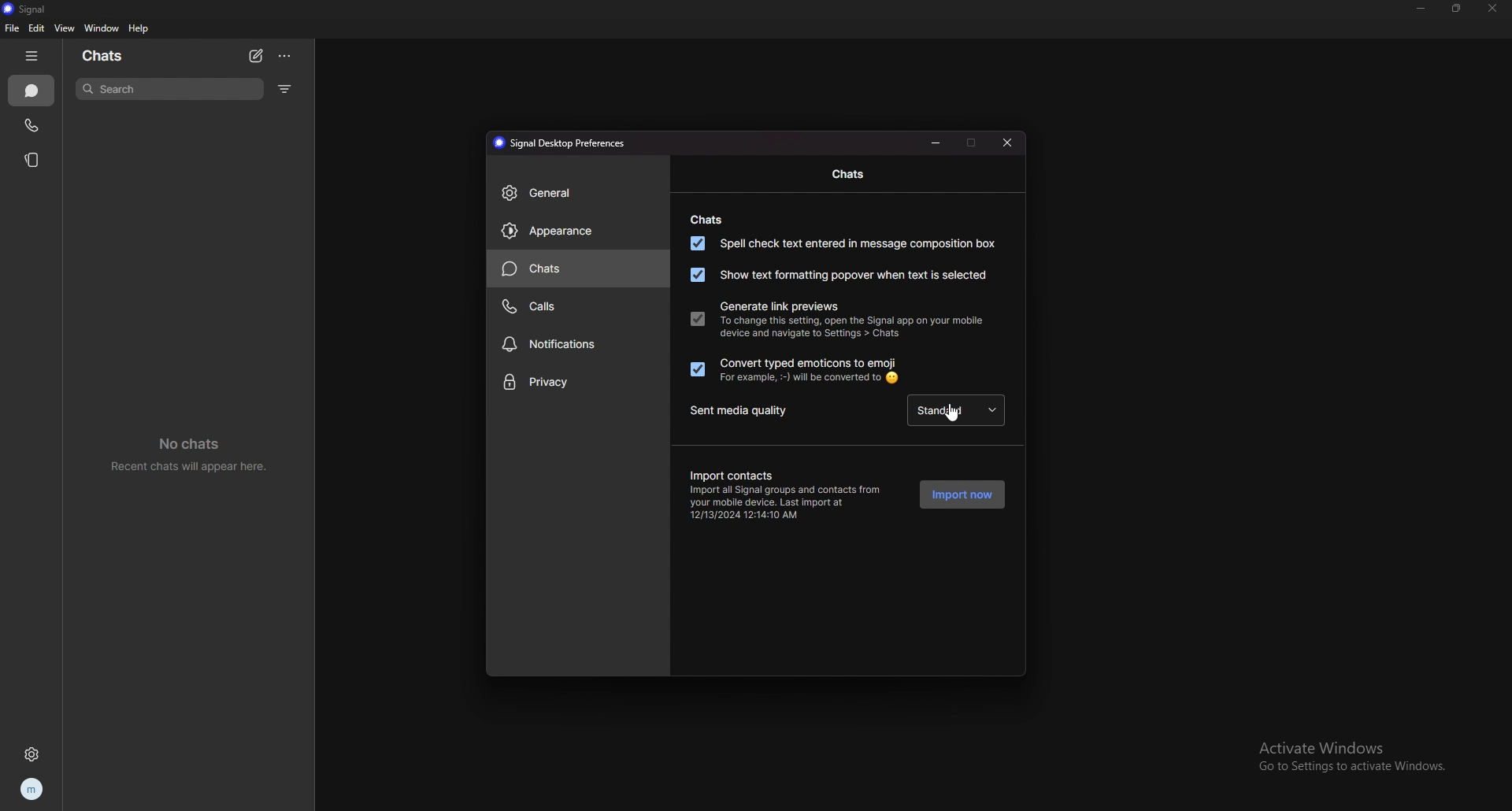 The height and width of the screenshot is (811, 1512). What do you see at coordinates (578, 346) in the screenshot?
I see `notifications` at bounding box center [578, 346].